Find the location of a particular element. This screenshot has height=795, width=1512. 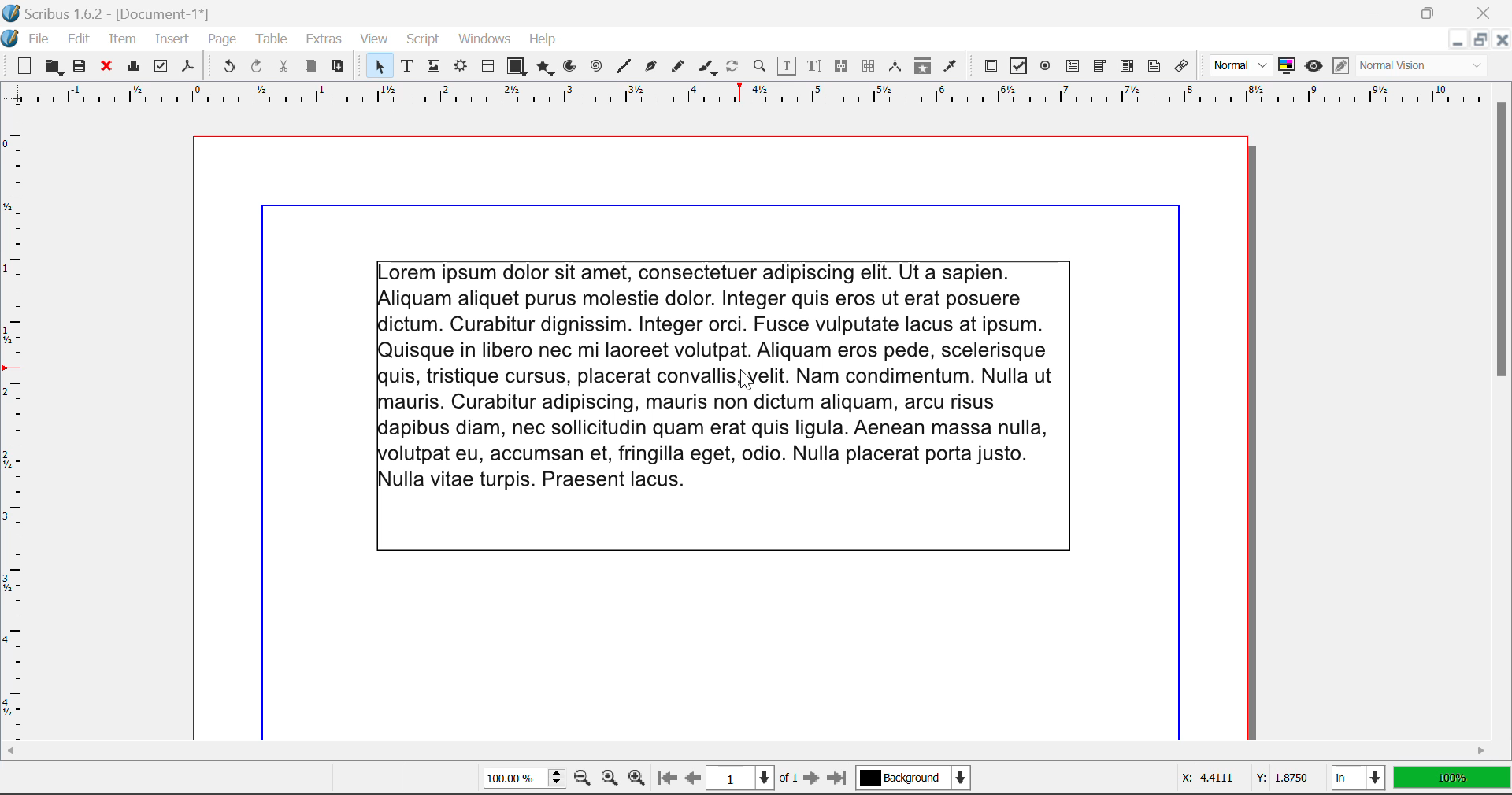

Restore Down is located at coordinates (1456, 40).